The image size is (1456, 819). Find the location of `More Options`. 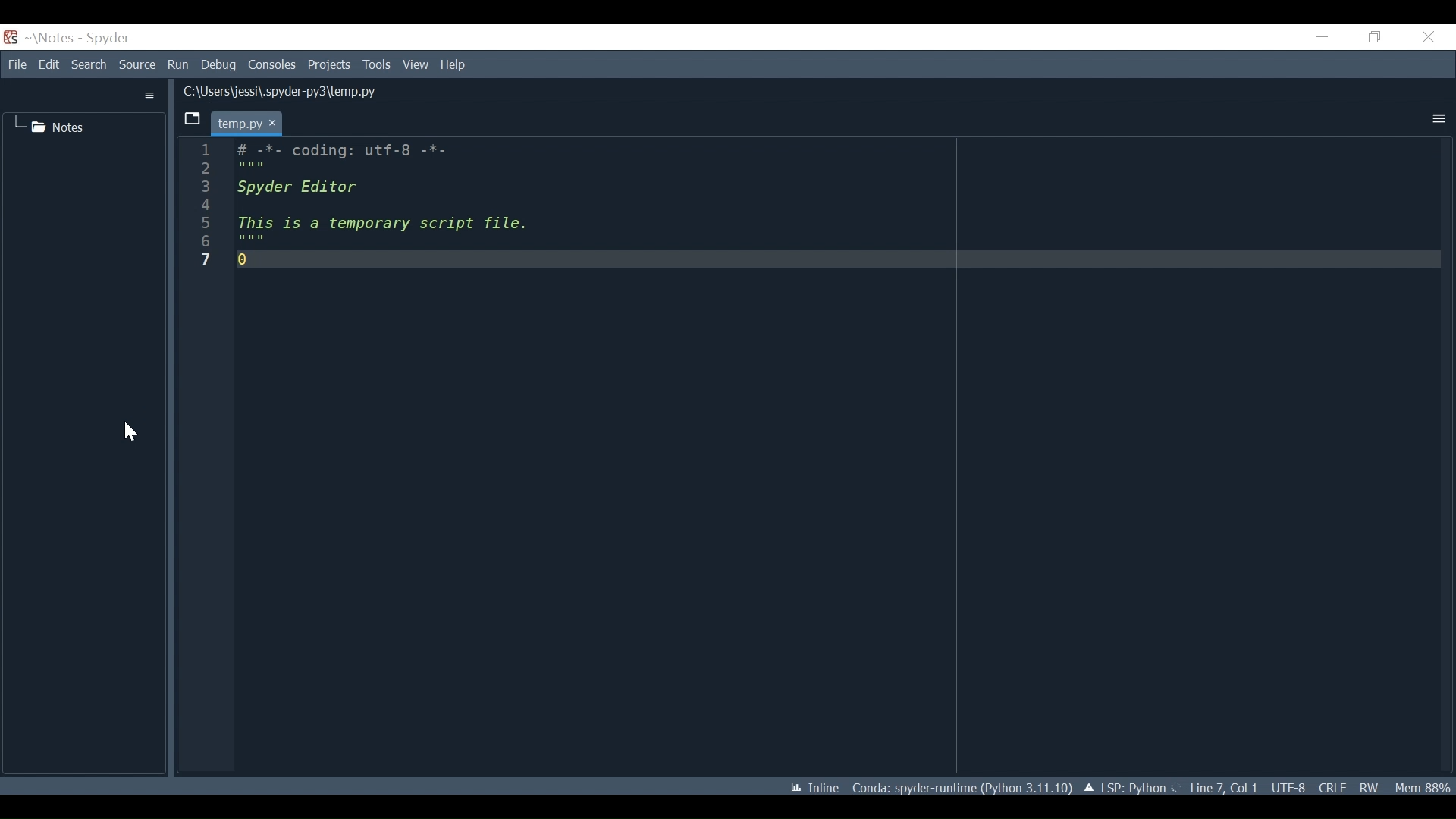

More Options is located at coordinates (149, 96).